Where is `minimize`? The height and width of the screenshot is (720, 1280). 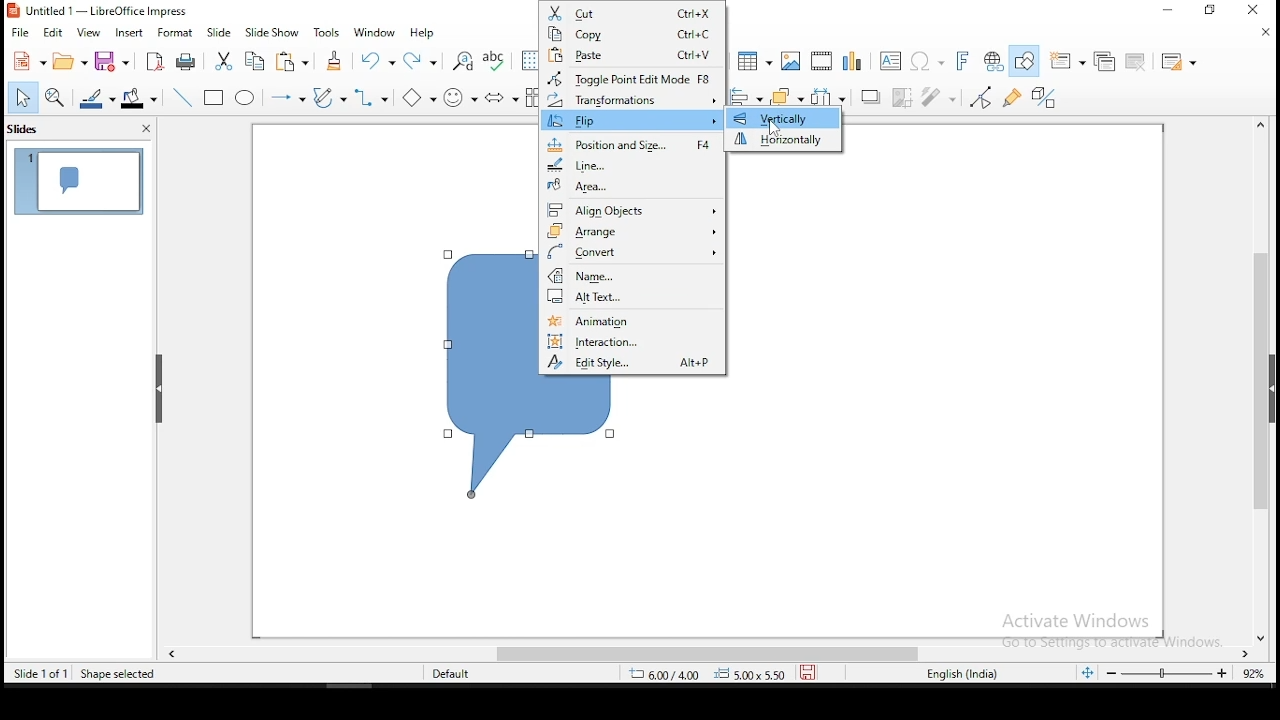 minimize is located at coordinates (1213, 11).